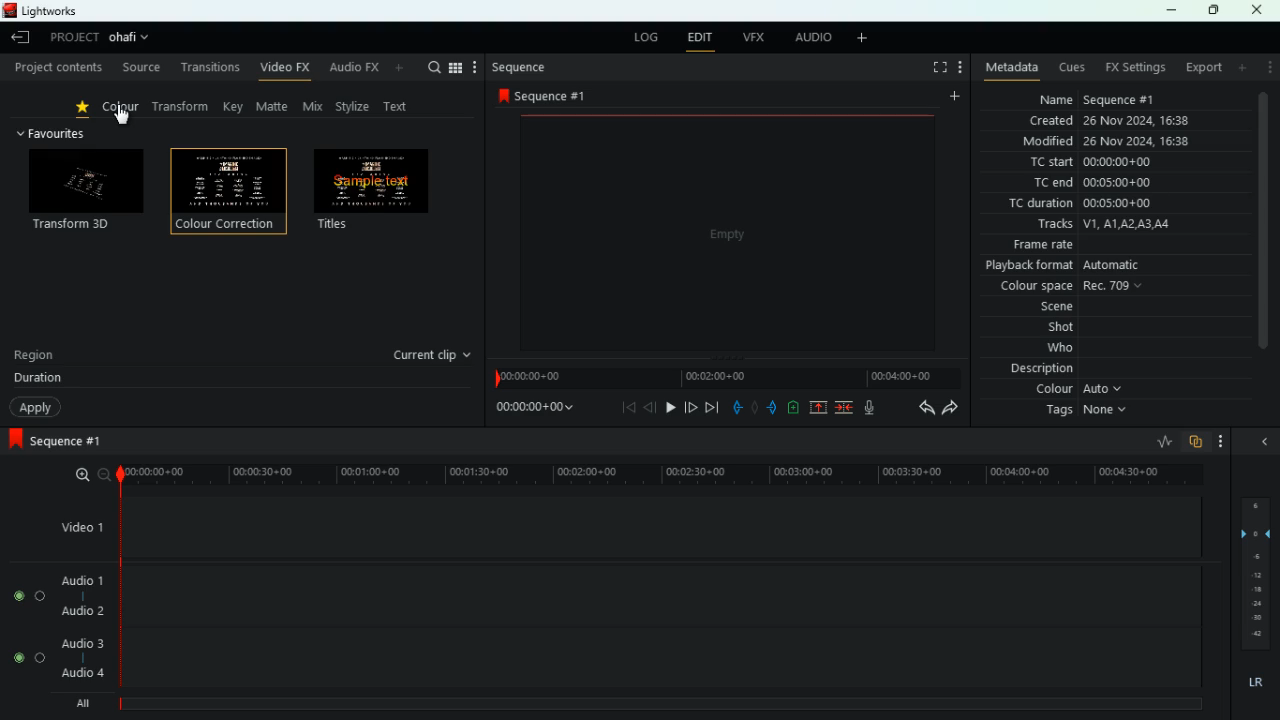 The image size is (1280, 720). I want to click on name, so click(1109, 99).